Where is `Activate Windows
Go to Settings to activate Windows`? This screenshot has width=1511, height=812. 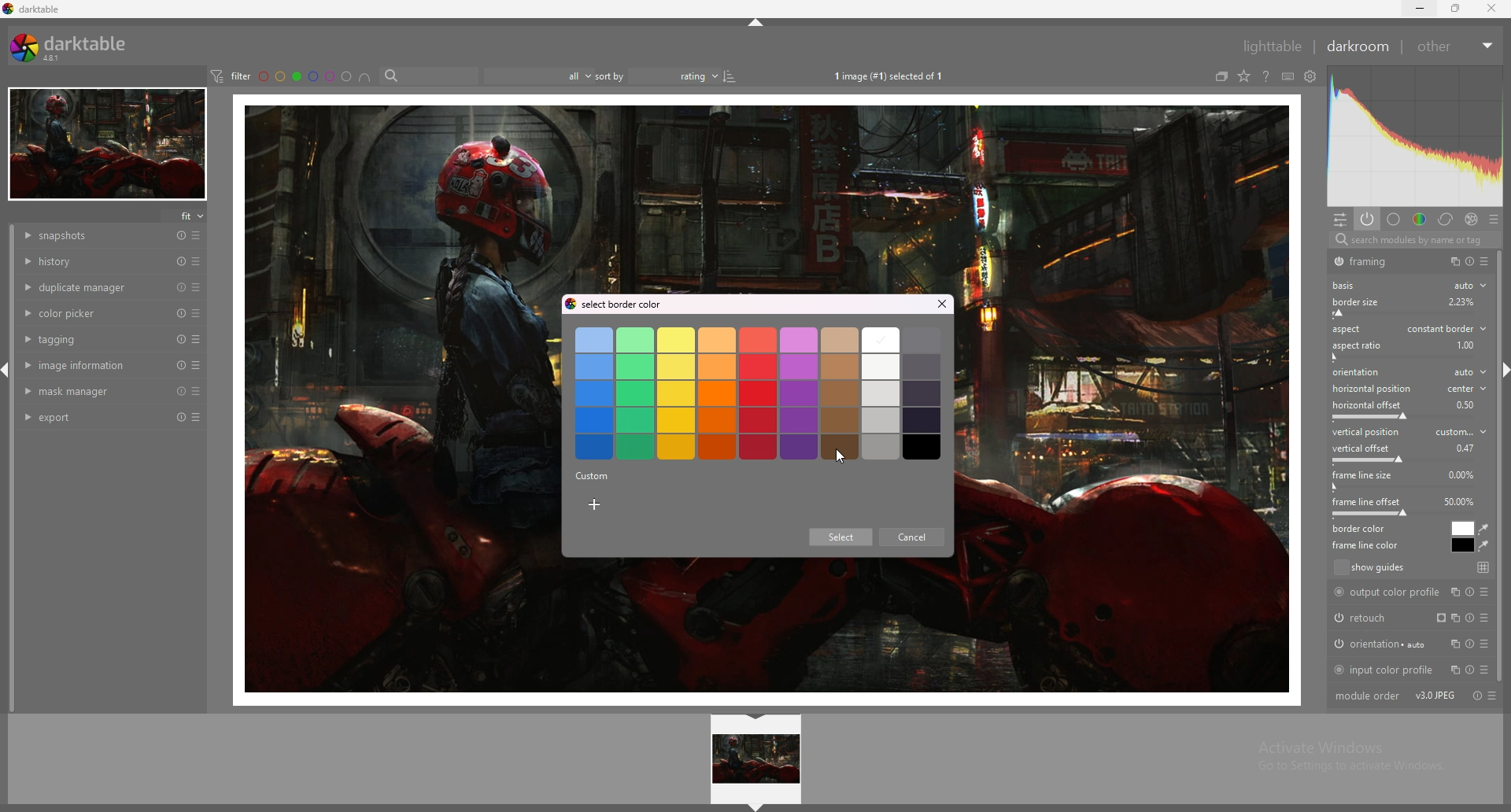
Activate Windows
Go to Settings to activate Windows is located at coordinates (1347, 760).